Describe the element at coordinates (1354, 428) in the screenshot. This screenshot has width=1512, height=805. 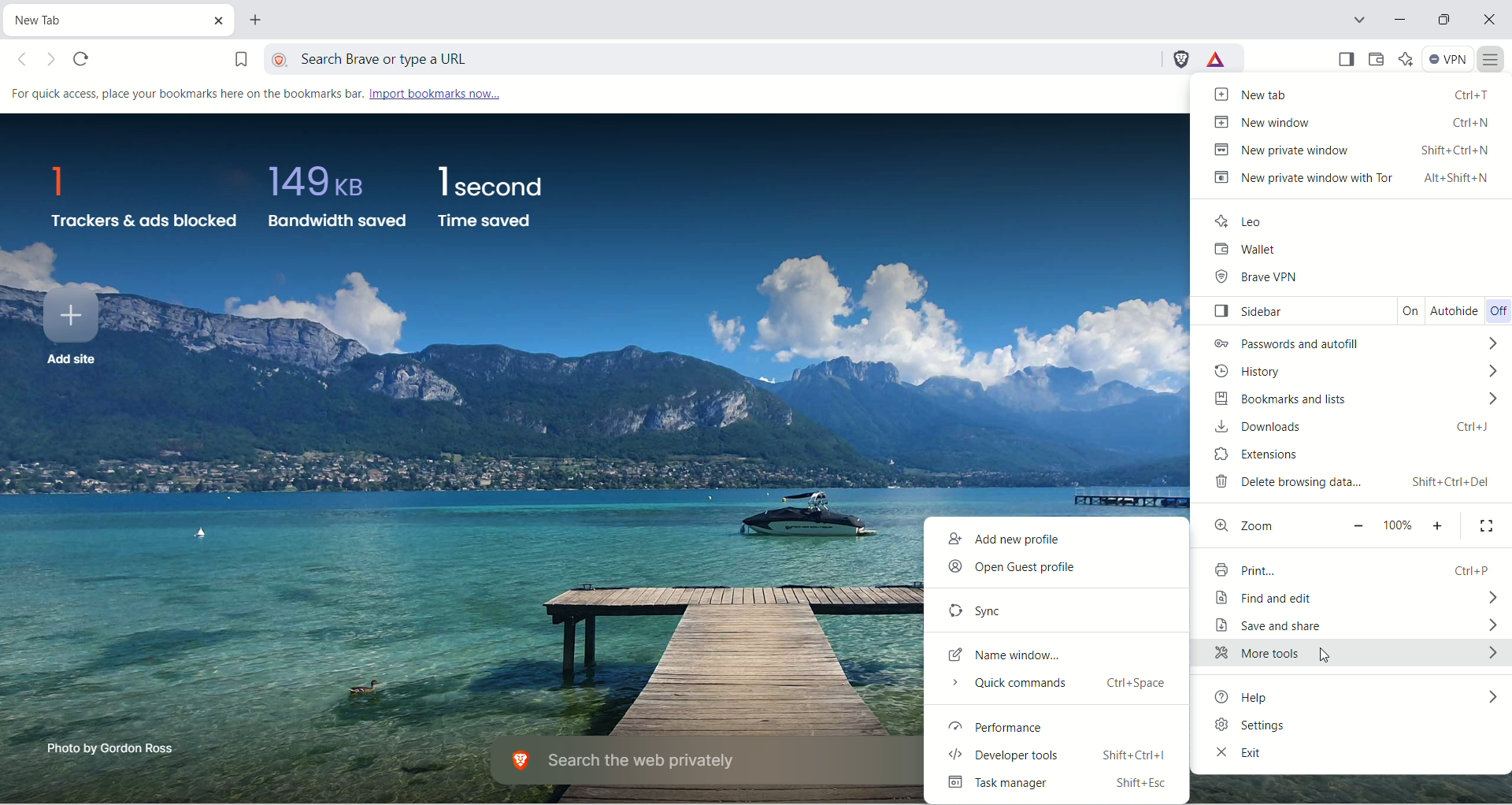
I see `downloads` at that location.